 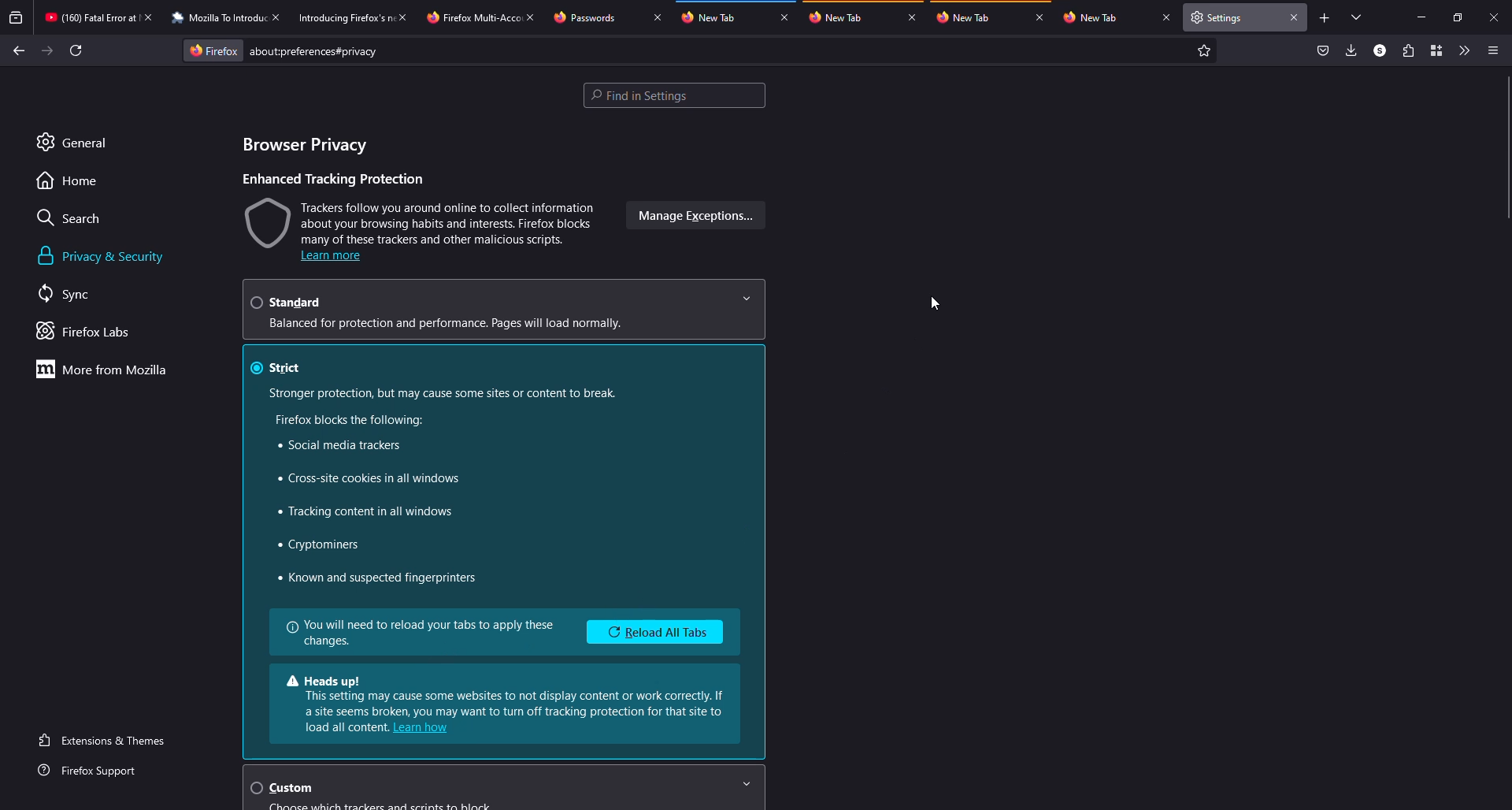 I want to click on sync, so click(x=67, y=292).